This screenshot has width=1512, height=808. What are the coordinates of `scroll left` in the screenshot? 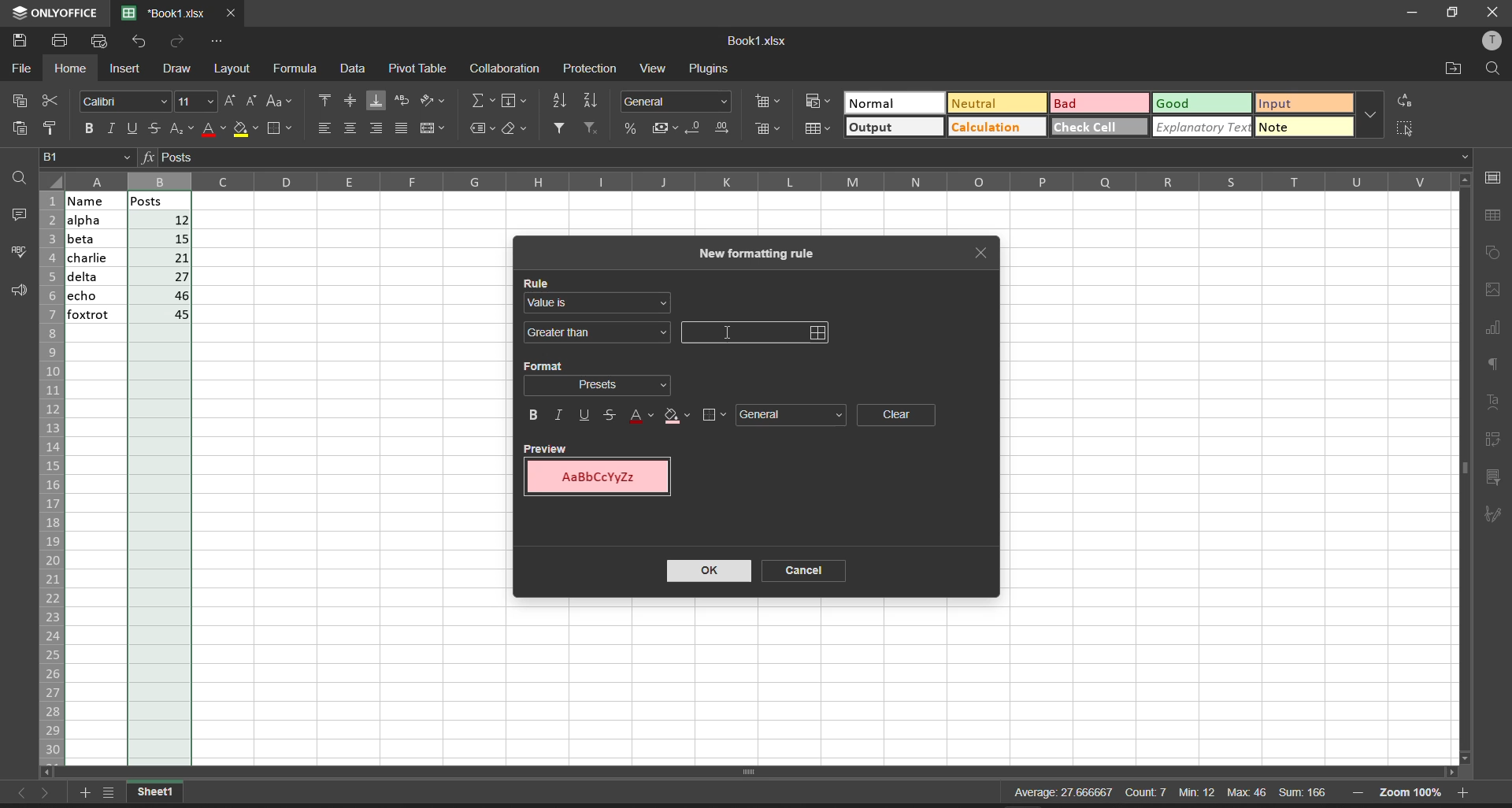 It's located at (49, 770).